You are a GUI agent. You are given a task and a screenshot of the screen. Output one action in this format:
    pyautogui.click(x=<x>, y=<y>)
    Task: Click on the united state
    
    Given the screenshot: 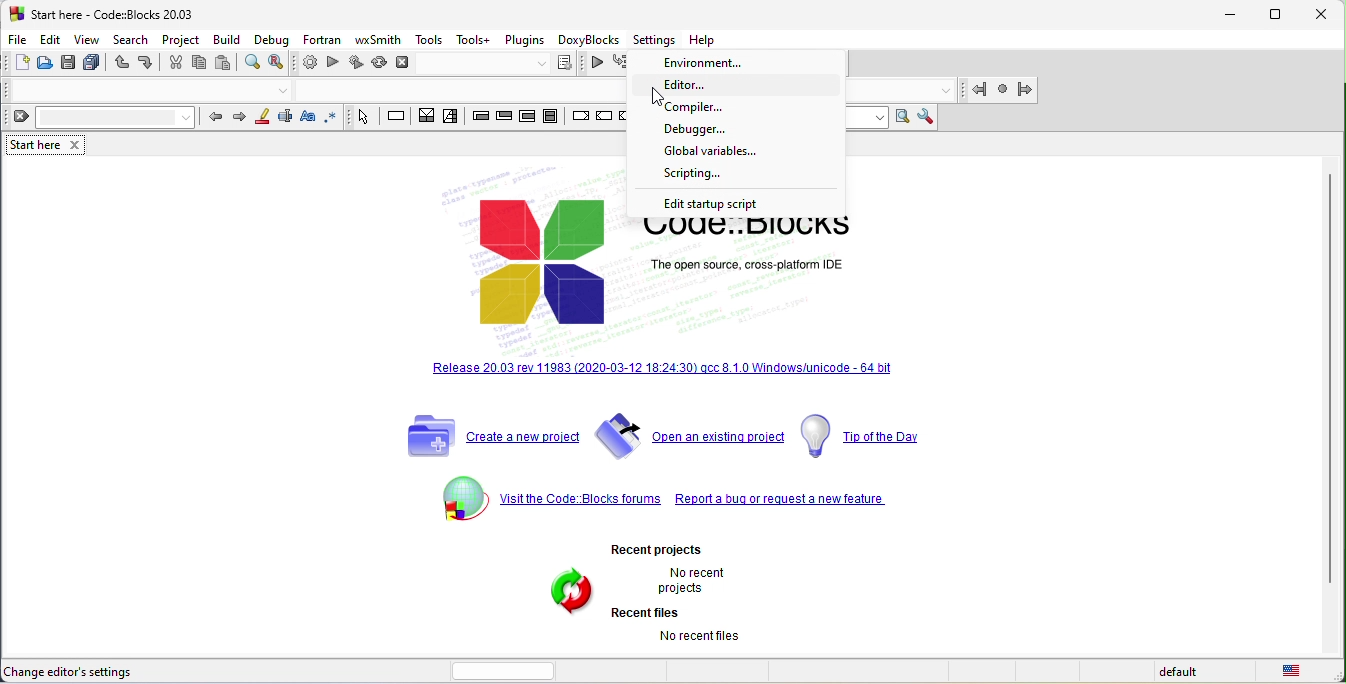 What is the action you would take?
    pyautogui.click(x=1290, y=673)
    